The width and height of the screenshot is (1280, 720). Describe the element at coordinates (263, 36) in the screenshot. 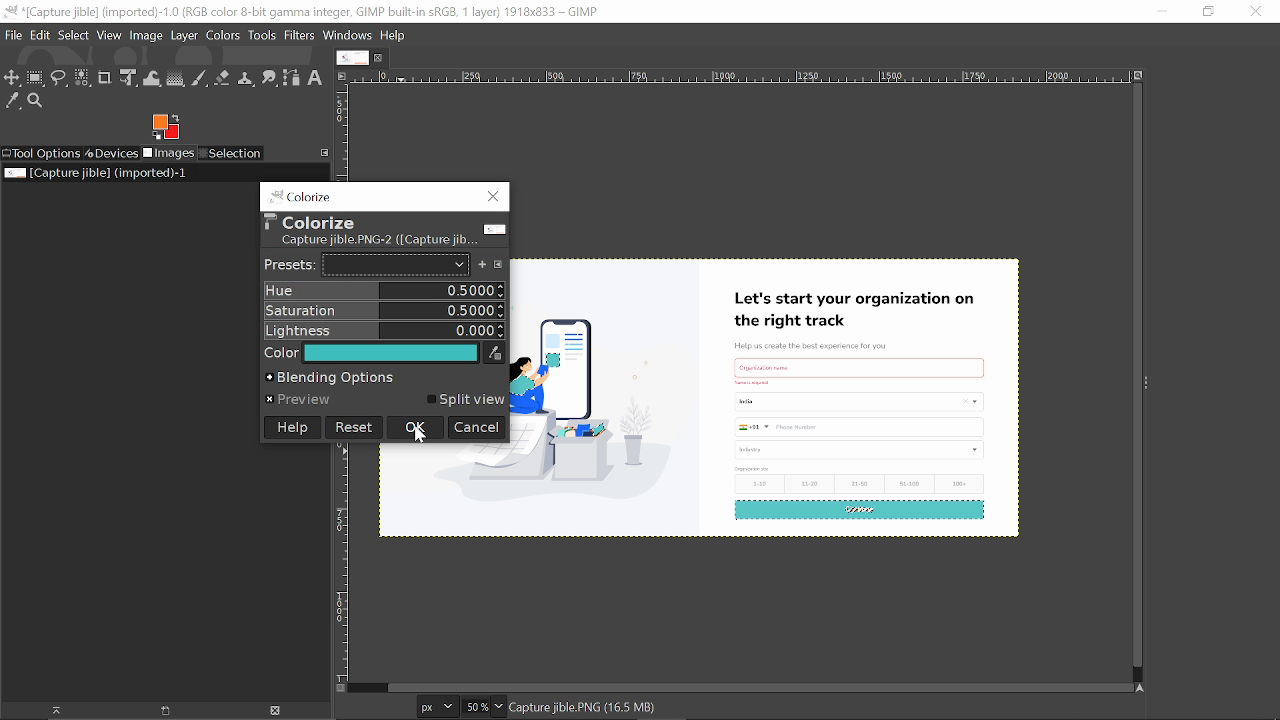

I see `tool` at that location.